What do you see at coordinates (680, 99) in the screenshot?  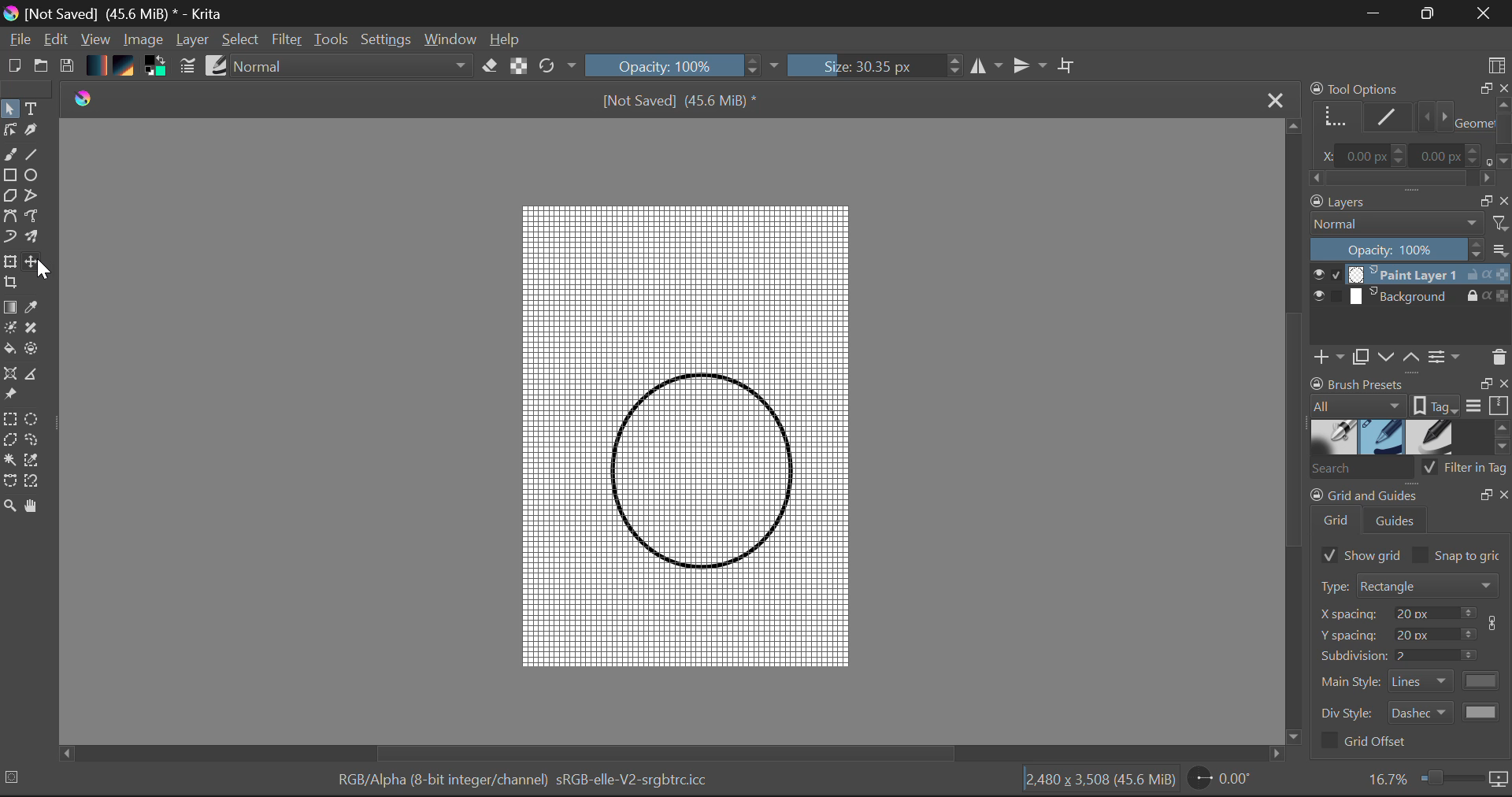 I see `File Name & Size` at bounding box center [680, 99].